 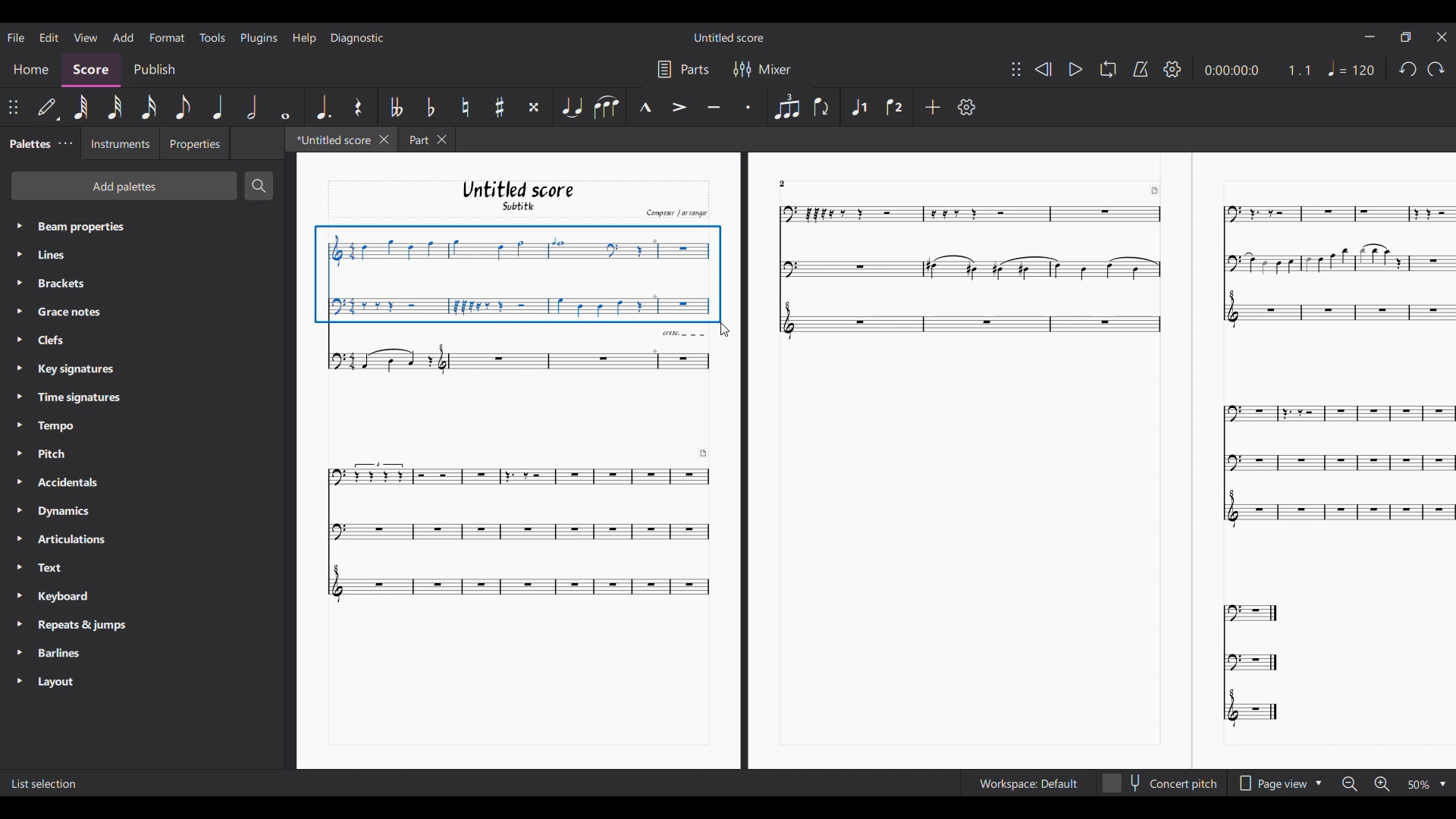 What do you see at coordinates (71, 510) in the screenshot?
I see `Dynamics` at bounding box center [71, 510].